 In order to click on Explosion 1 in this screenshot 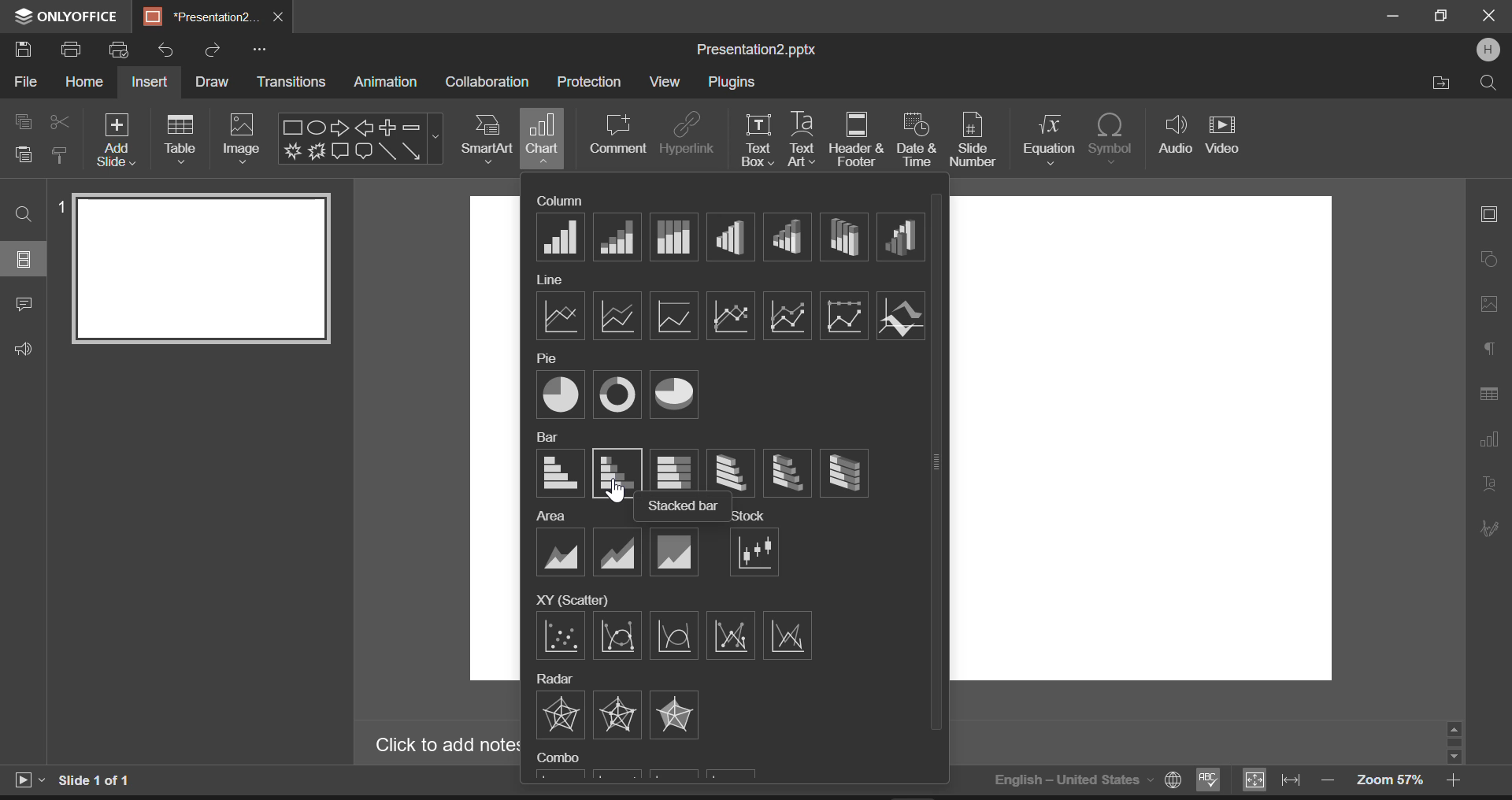, I will do `click(293, 151)`.